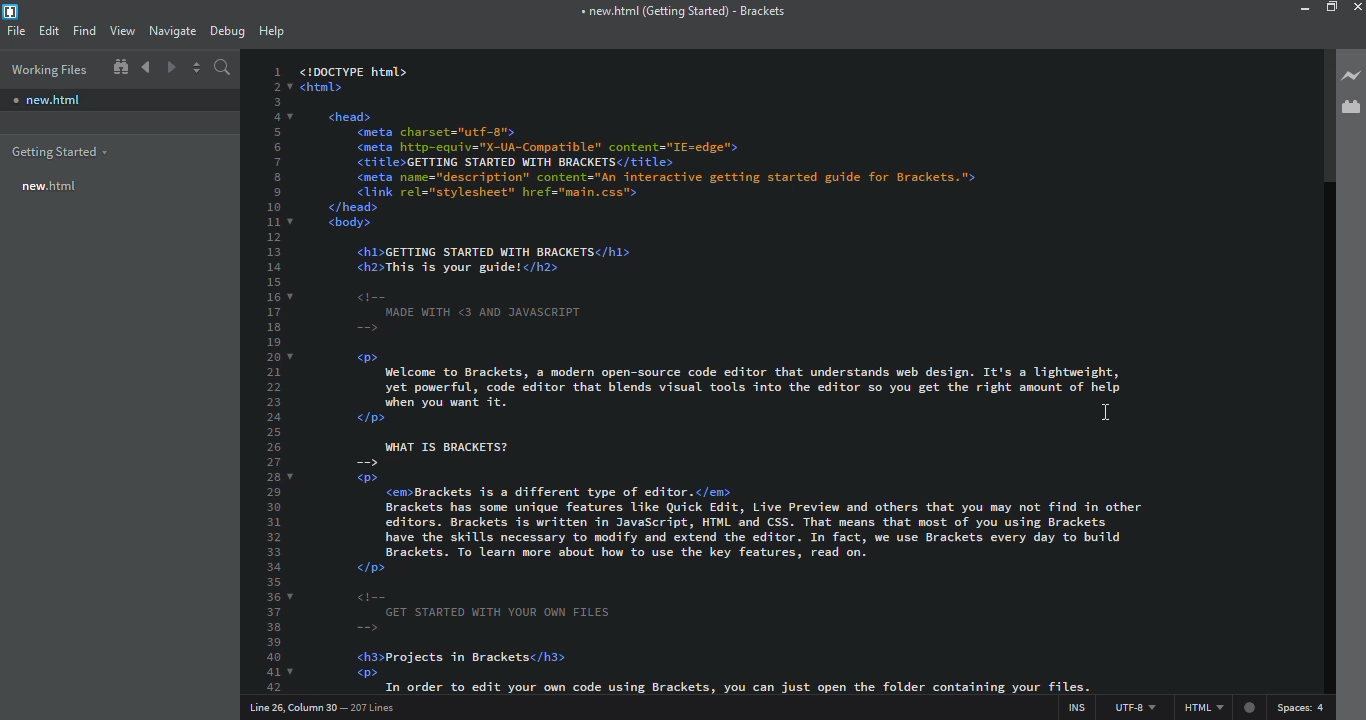  Describe the element at coordinates (120, 67) in the screenshot. I see `show in file tree` at that location.